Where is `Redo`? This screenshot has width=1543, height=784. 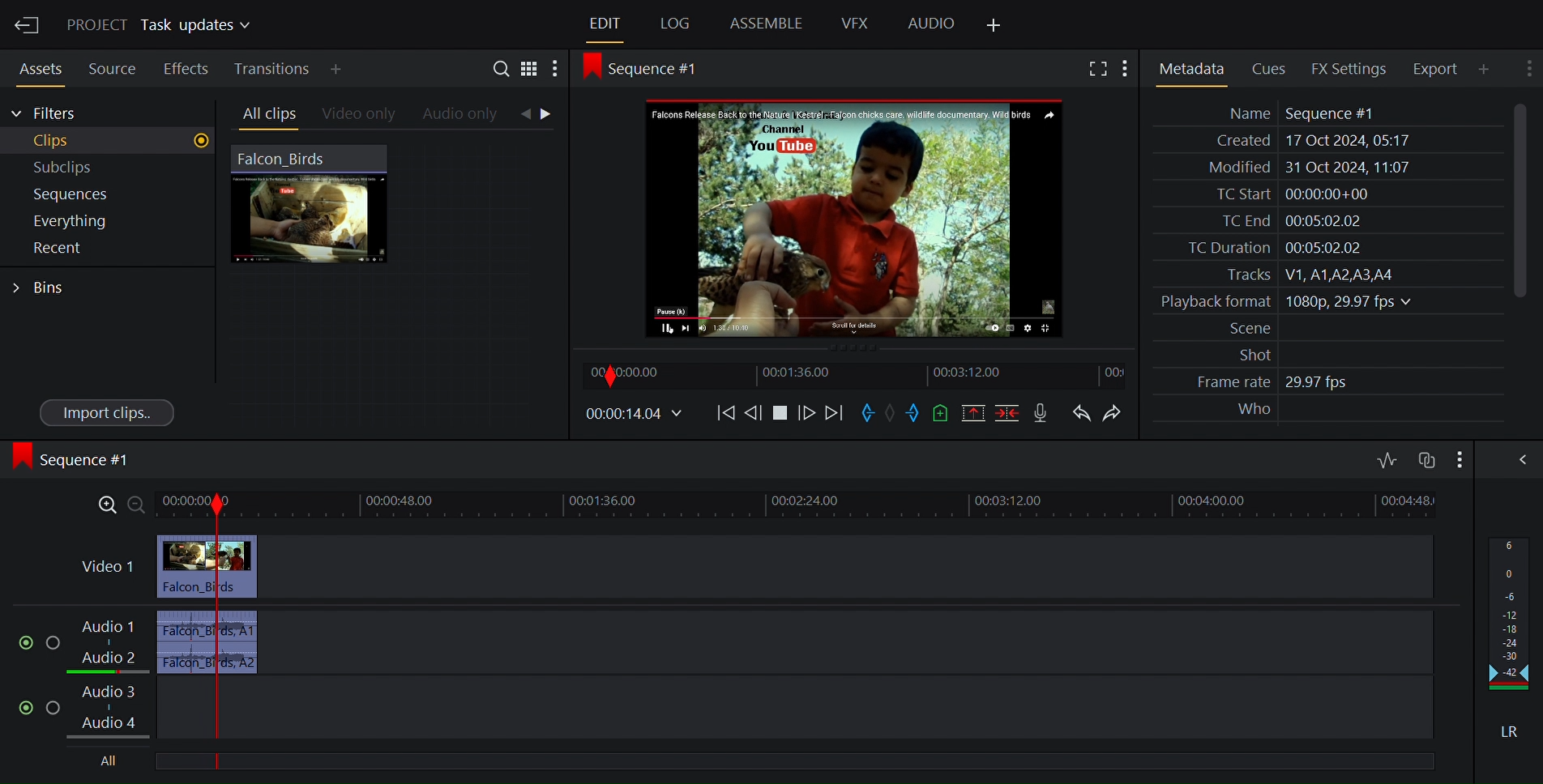
Redo is located at coordinates (1113, 411).